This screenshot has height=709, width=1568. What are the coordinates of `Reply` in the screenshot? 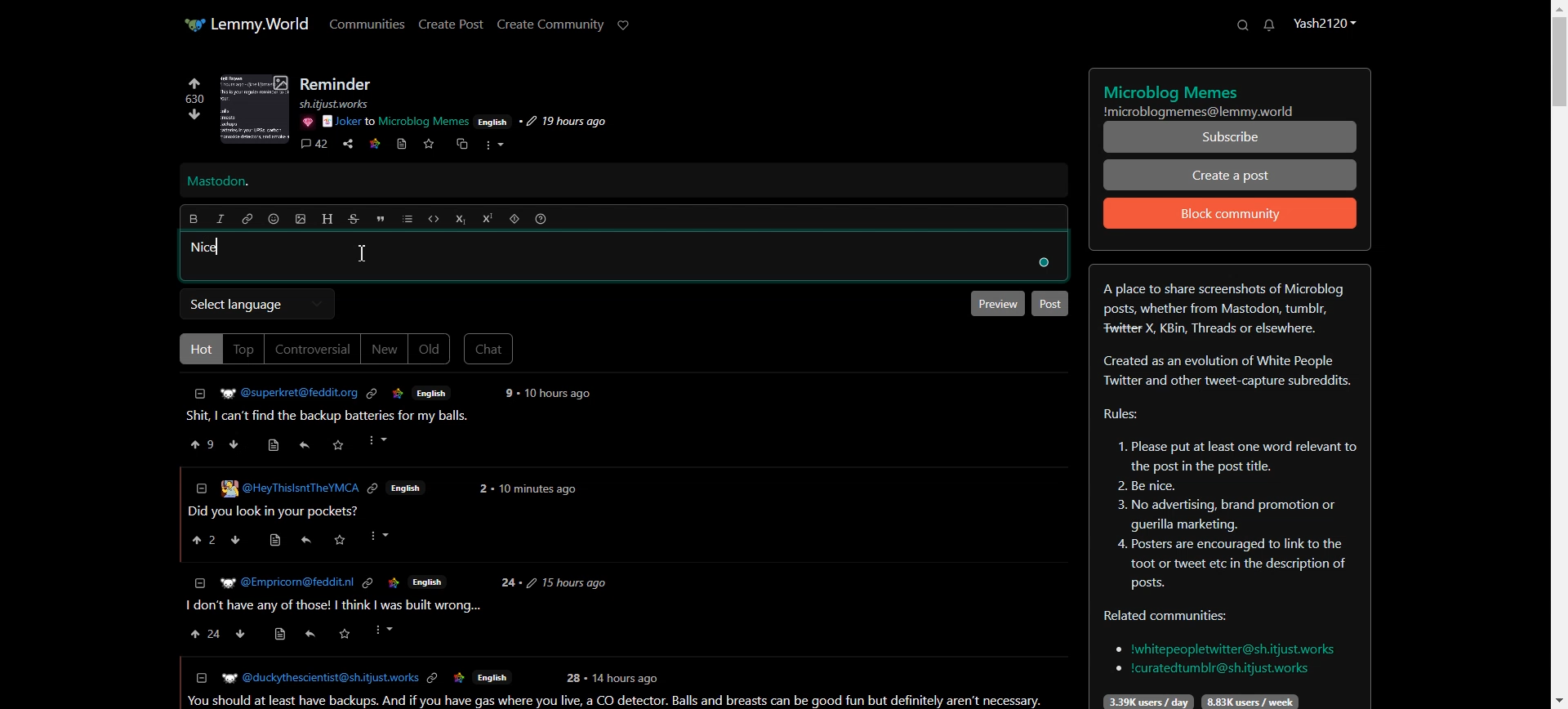 It's located at (305, 445).